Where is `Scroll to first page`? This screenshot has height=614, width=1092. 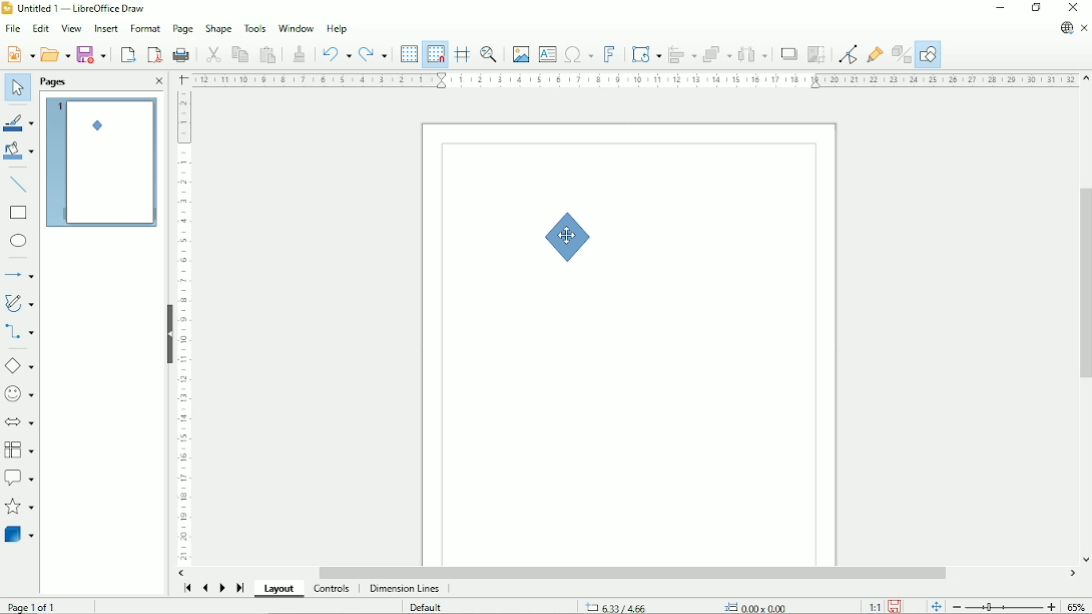 Scroll to first page is located at coordinates (186, 588).